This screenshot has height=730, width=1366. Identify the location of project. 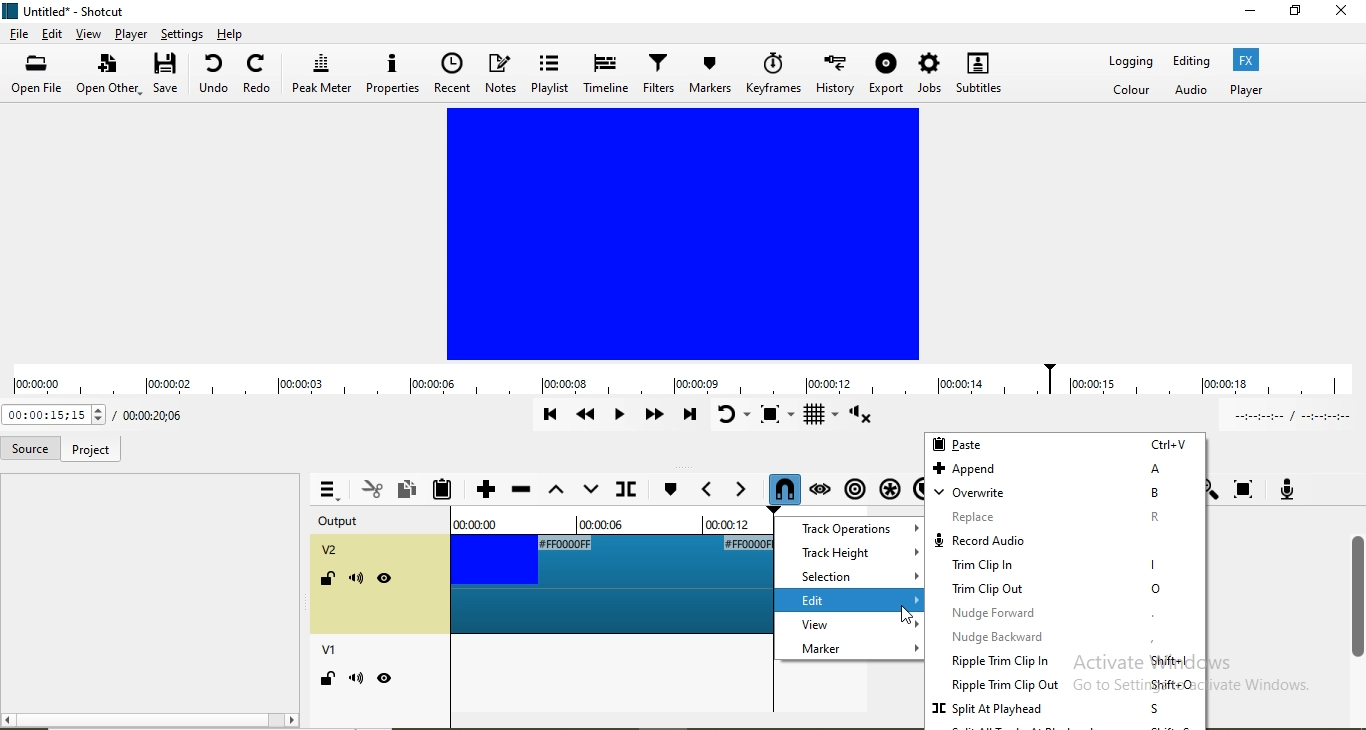
(89, 451).